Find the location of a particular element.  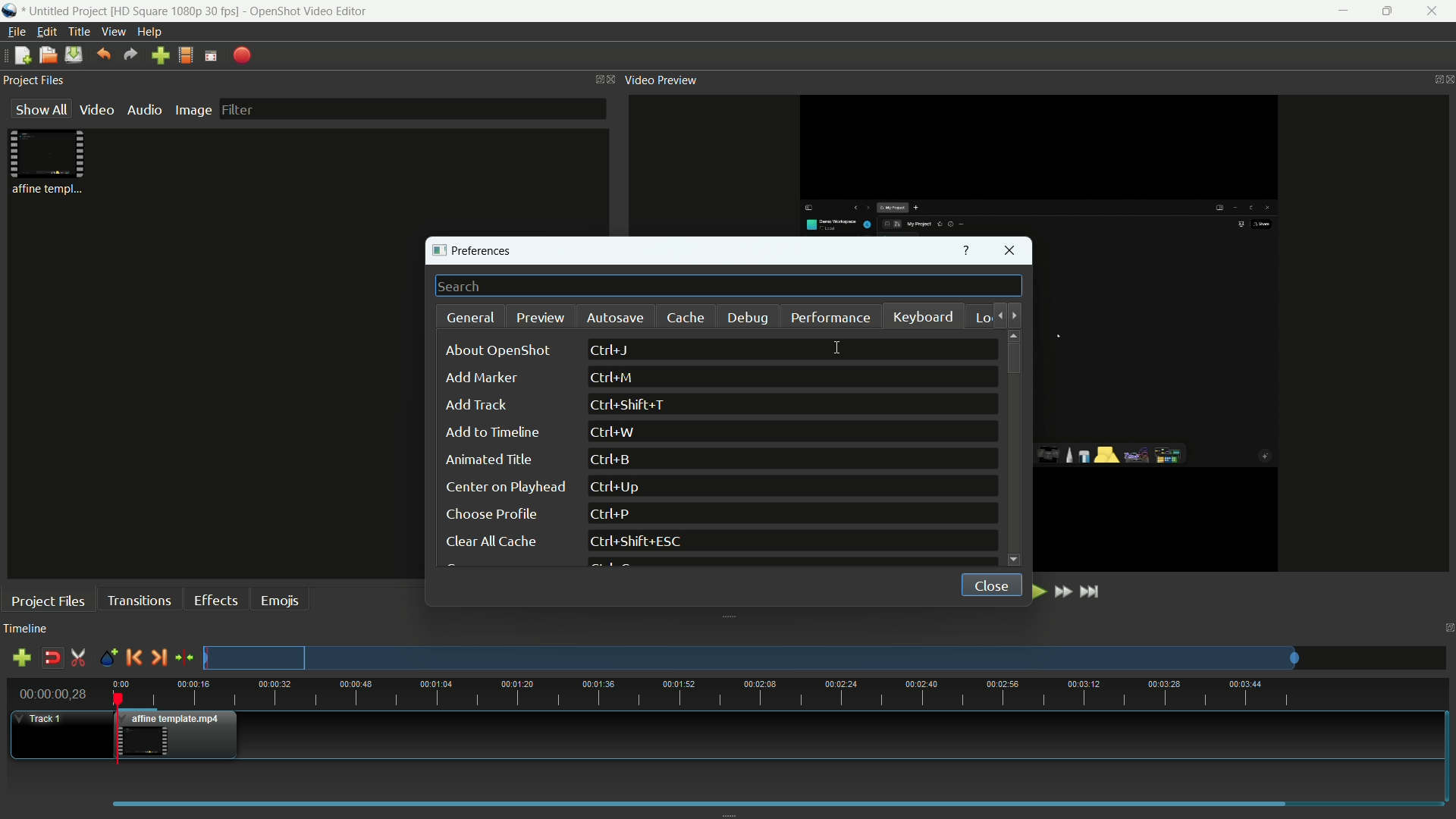

keyboard shortcut is located at coordinates (620, 487).